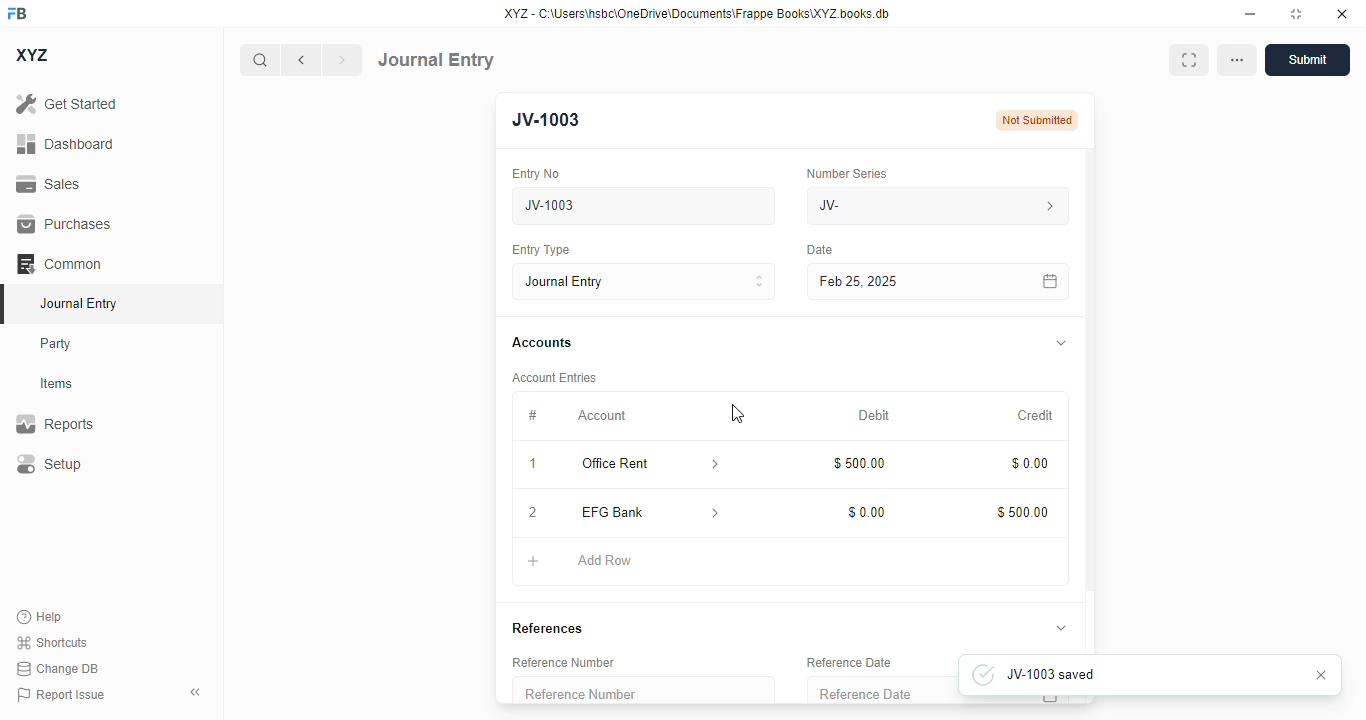 The height and width of the screenshot is (720, 1366). What do you see at coordinates (1189, 60) in the screenshot?
I see `toggle between form and full width` at bounding box center [1189, 60].